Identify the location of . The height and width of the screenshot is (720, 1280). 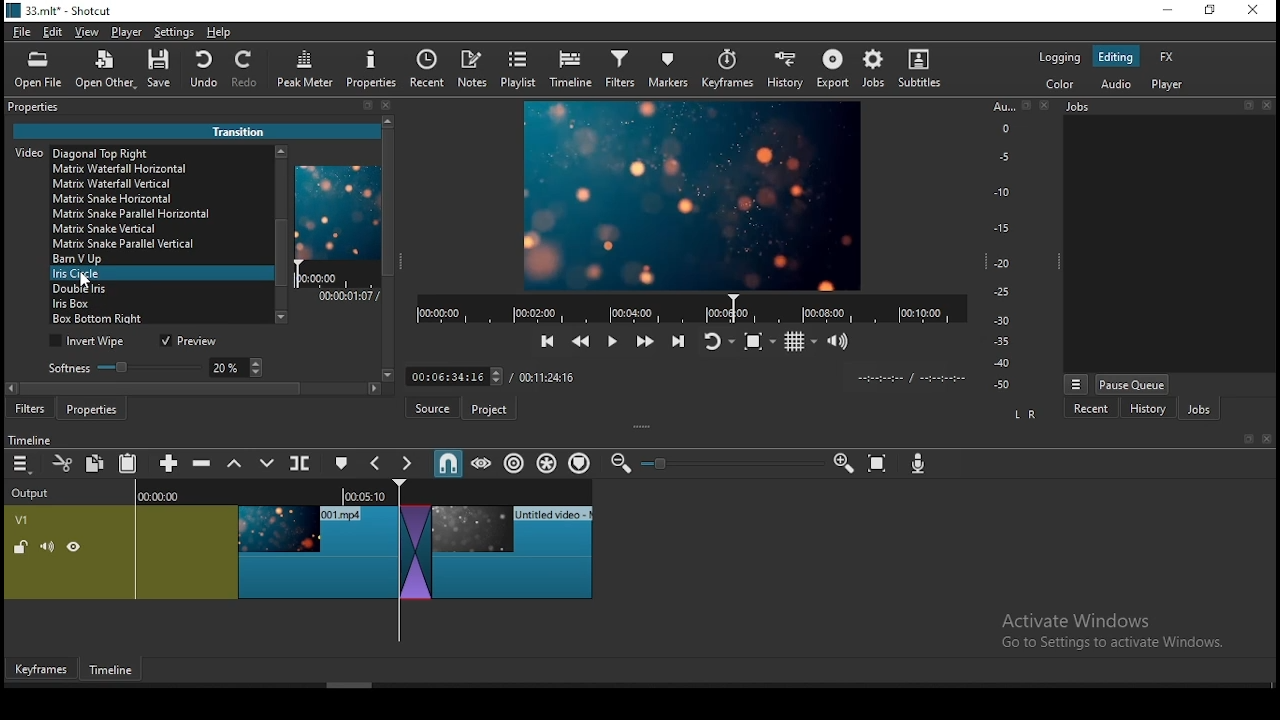
(680, 375).